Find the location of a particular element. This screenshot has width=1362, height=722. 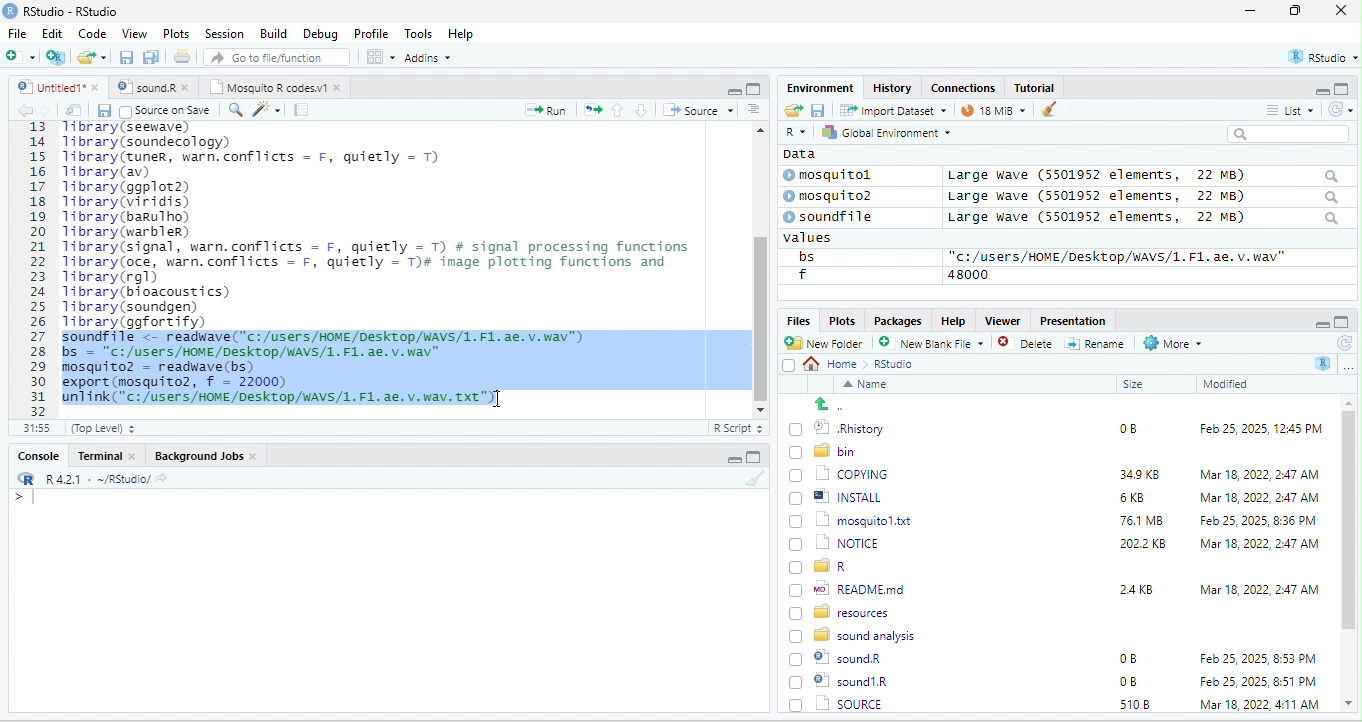

save is located at coordinates (817, 109).